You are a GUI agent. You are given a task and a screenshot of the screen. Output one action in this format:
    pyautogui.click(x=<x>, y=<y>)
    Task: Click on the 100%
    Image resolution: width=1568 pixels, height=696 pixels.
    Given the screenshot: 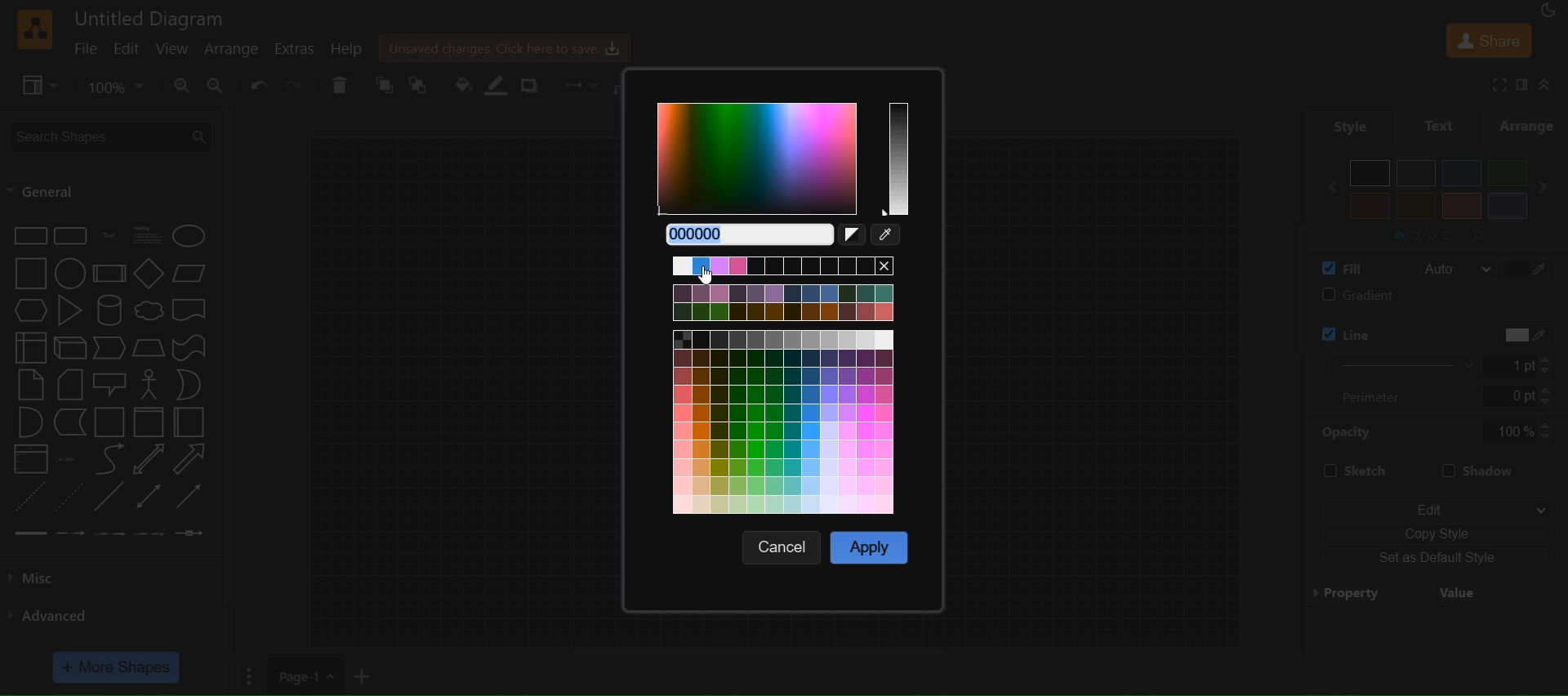 What is the action you would take?
    pyautogui.click(x=1517, y=431)
    